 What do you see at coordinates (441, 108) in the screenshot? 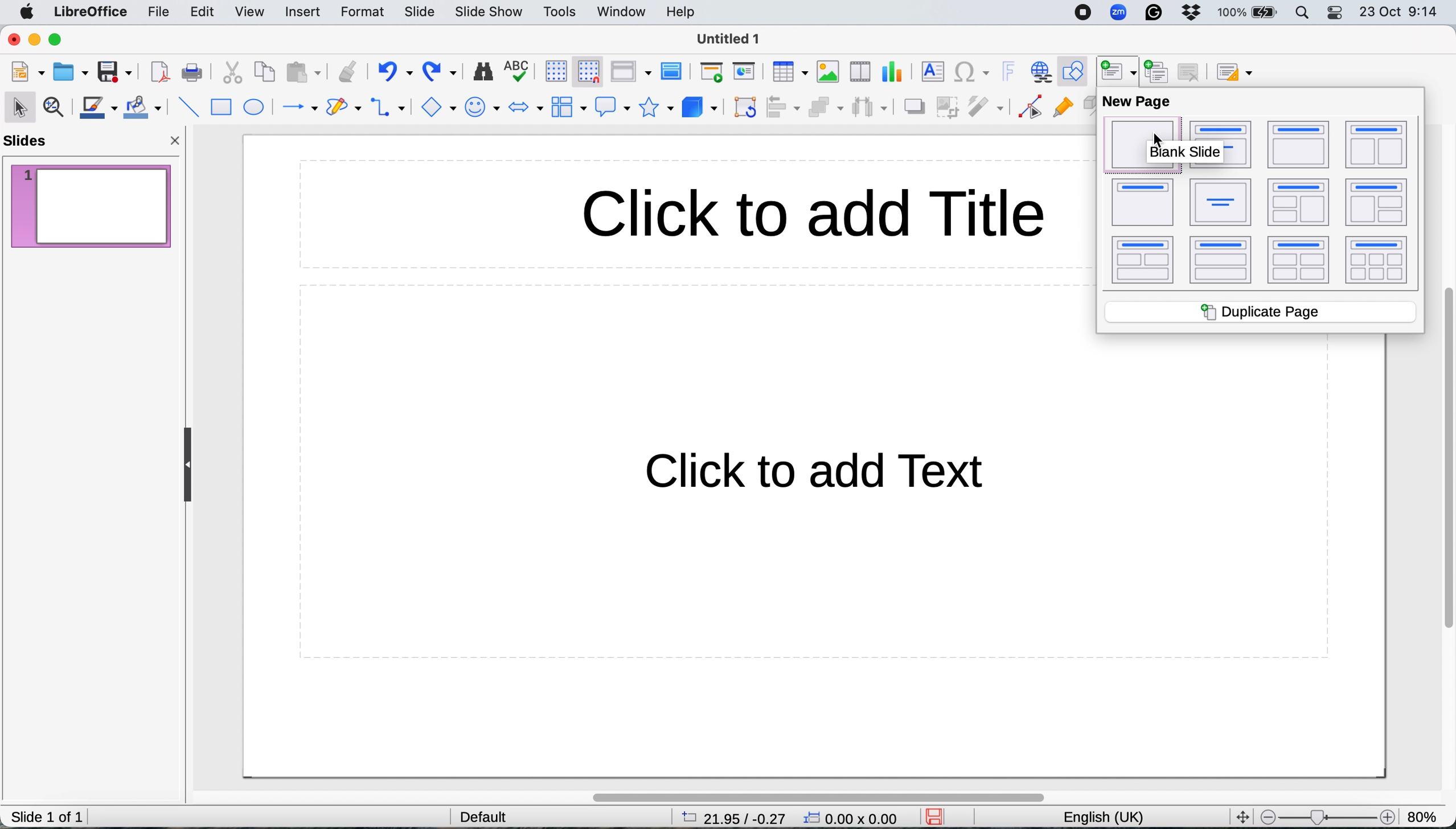
I see `basic shapes` at bounding box center [441, 108].